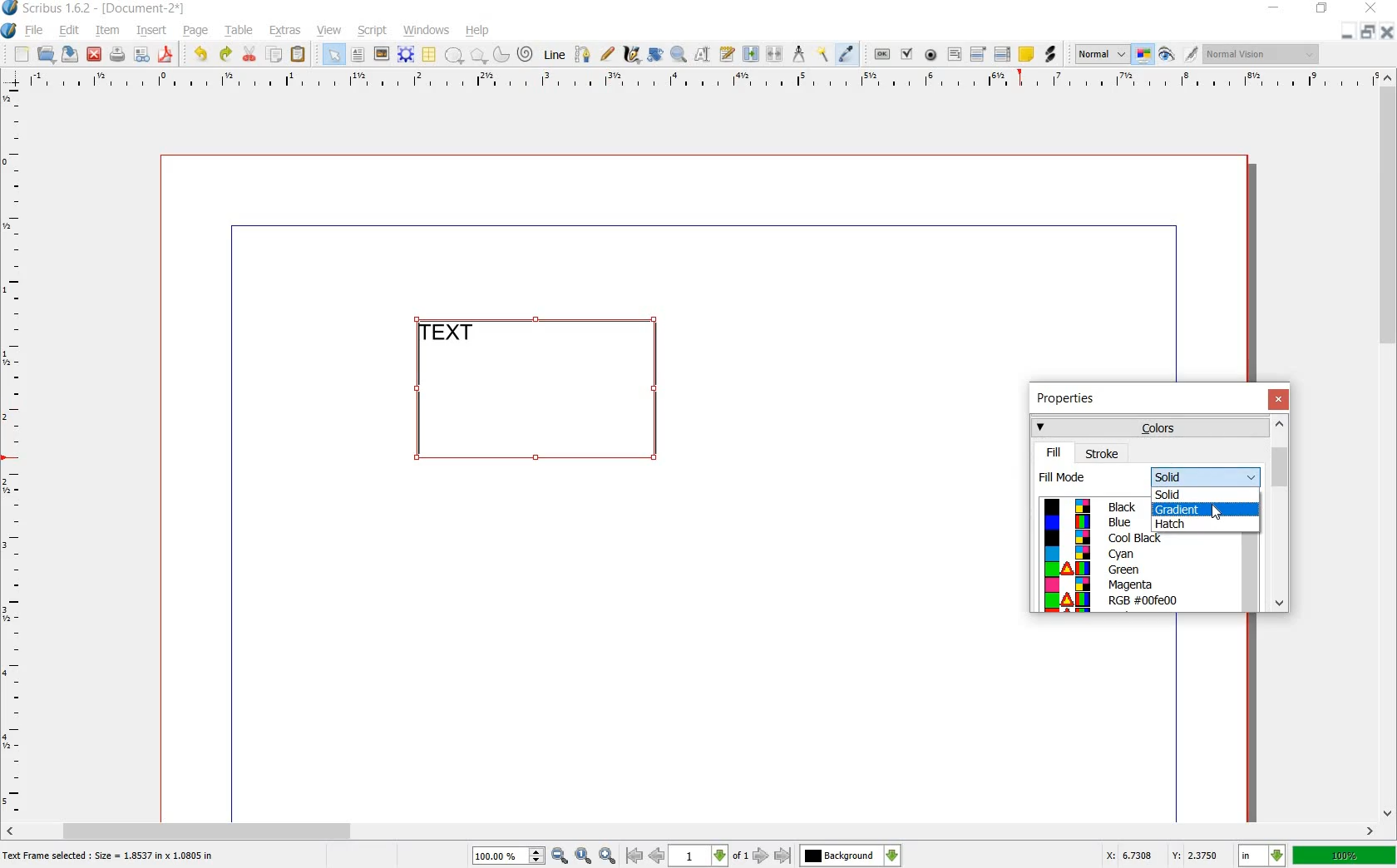 The width and height of the screenshot is (1397, 868). Describe the element at coordinates (1162, 855) in the screenshot. I see `X: 6.7308 Y: 2.3750` at that location.